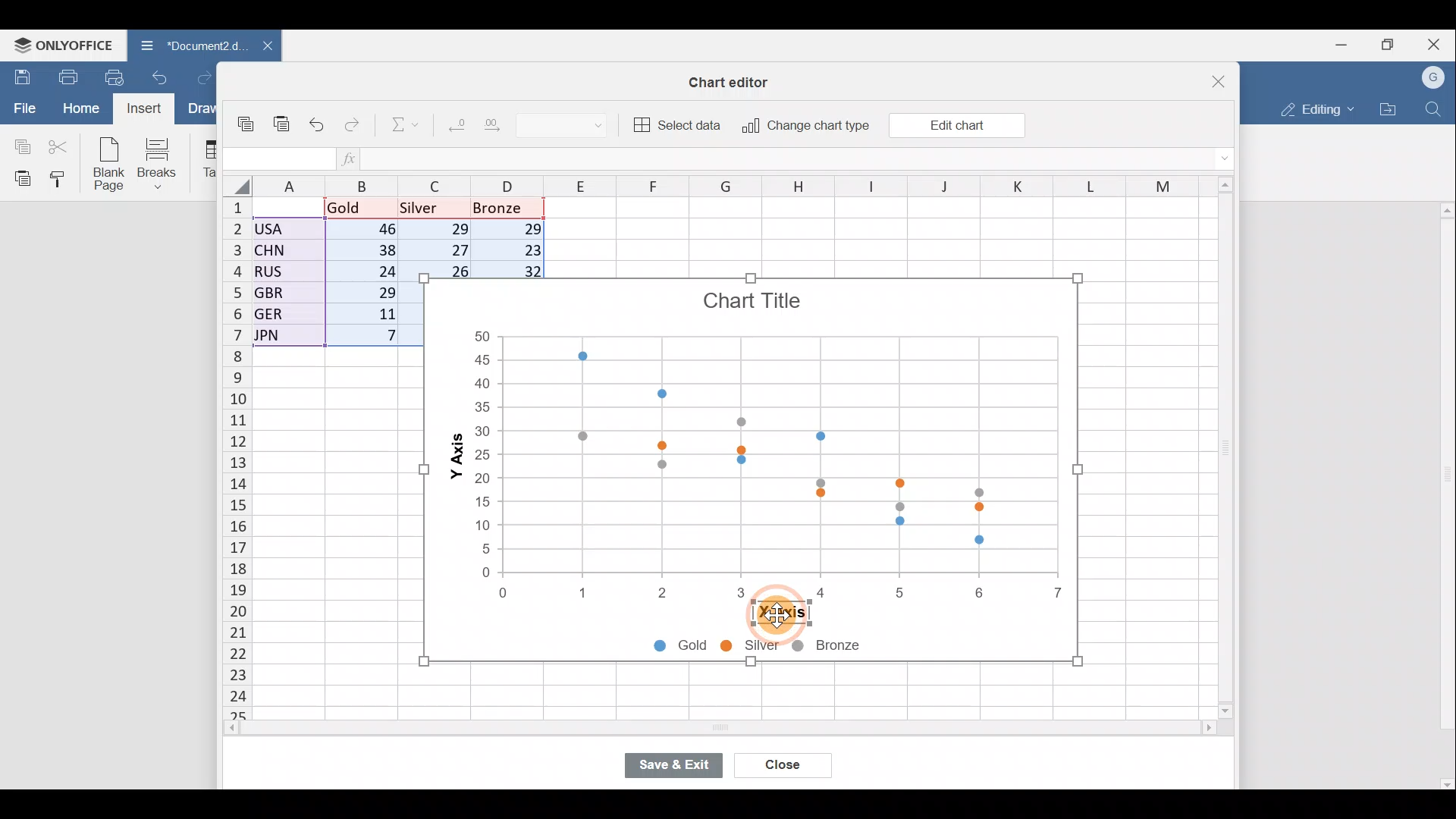 The width and height of the screenshot is (1456, 819). Describe the element at coordinates (165, 162) in the screenshot. I see `Breaks` at that location.